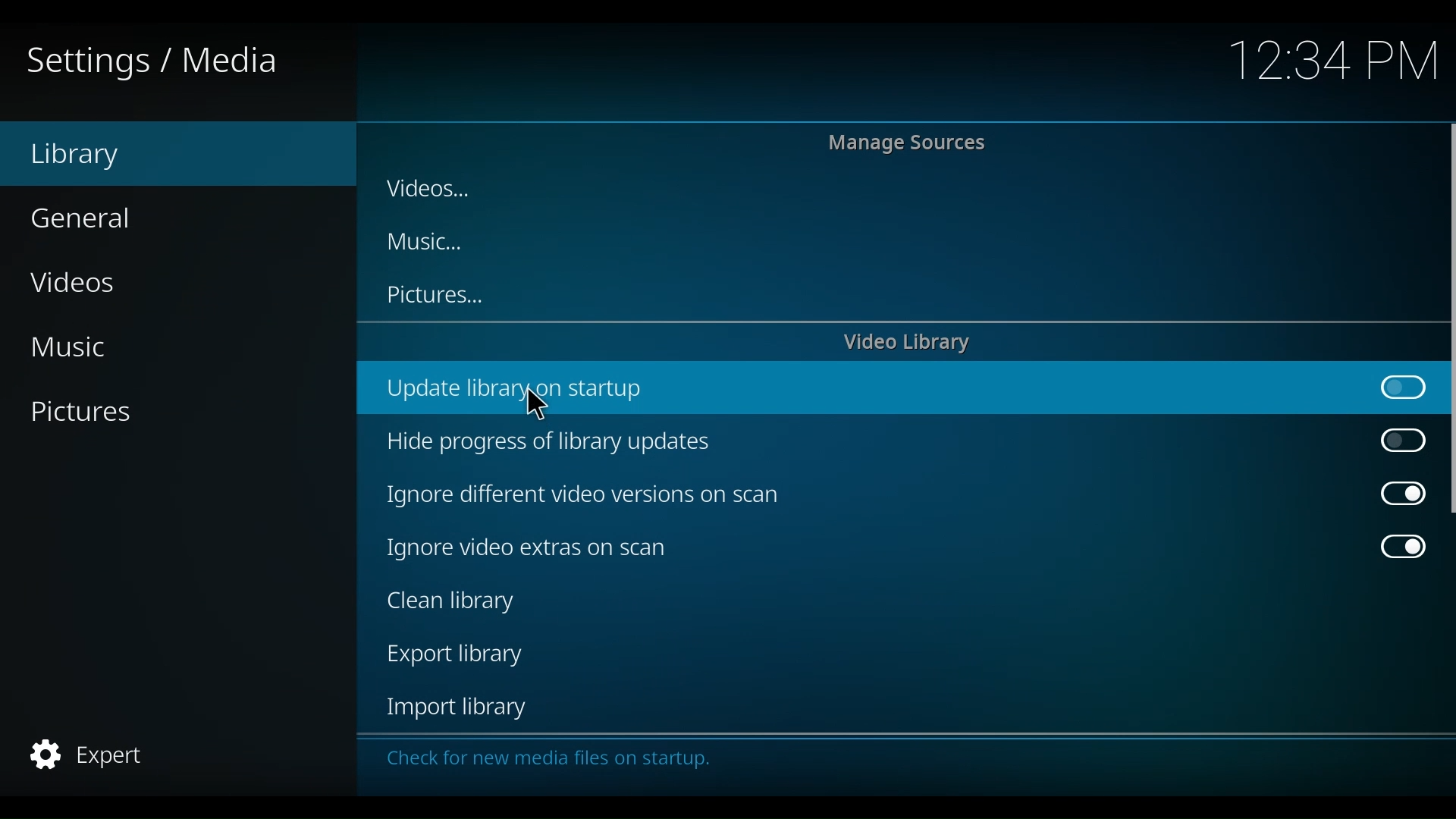  What do you see at coordinates (556, 761) in the screenshot?
I see `Check for new media on startu` at bounding box center [556, 761].